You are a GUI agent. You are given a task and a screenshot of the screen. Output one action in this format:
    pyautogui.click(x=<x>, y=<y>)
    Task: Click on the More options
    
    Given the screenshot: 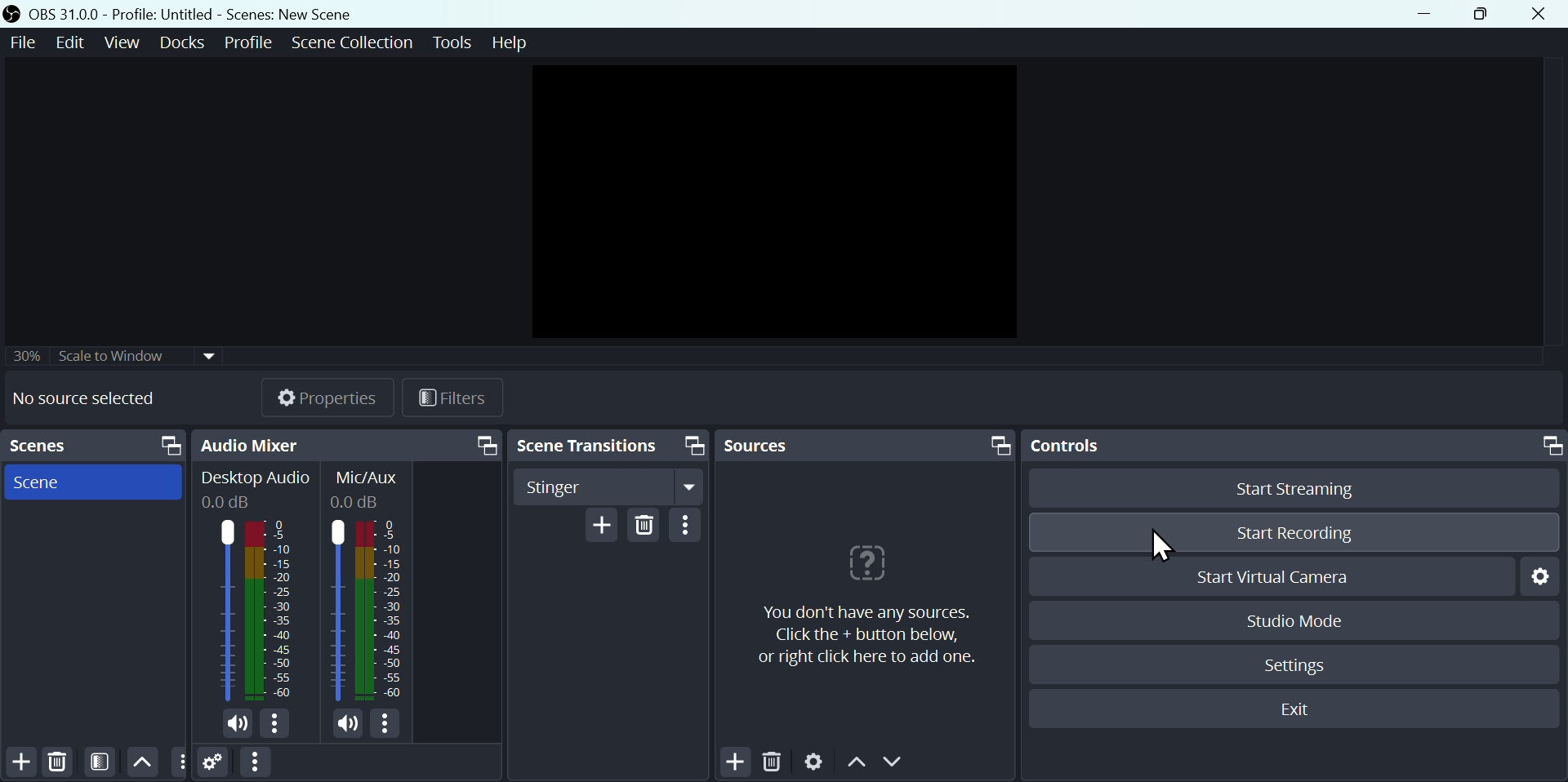 What is the action you would take?
    pyautogui.click(x=181, y=762)
    